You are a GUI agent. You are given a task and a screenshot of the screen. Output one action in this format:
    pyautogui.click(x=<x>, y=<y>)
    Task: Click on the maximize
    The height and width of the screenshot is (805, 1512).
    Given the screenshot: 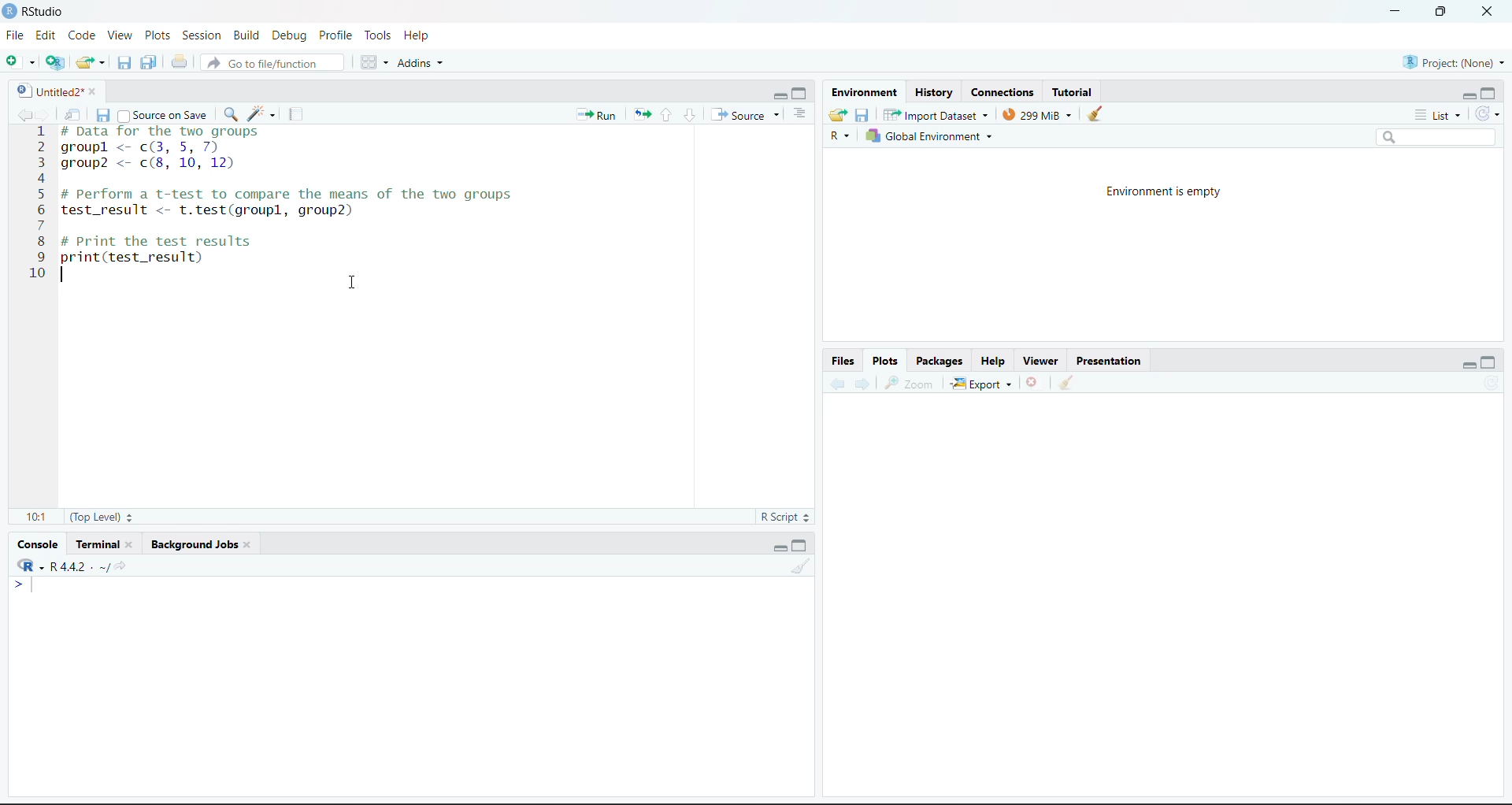 What is the action you would take?
    pyautogui.click(x=1443, y=11)
    